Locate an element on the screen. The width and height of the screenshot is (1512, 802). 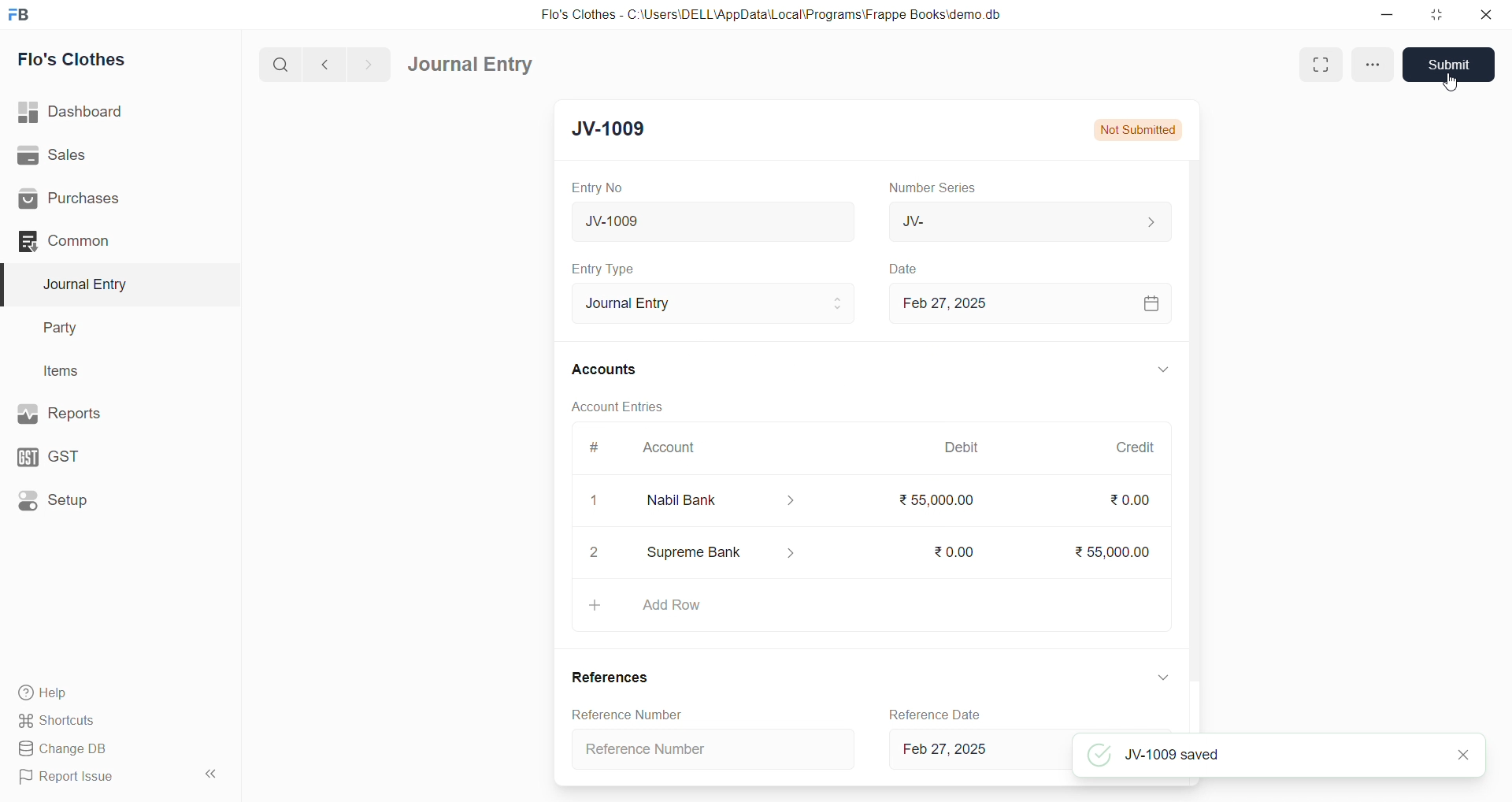
Entry No is located at coordinates (597, 188).